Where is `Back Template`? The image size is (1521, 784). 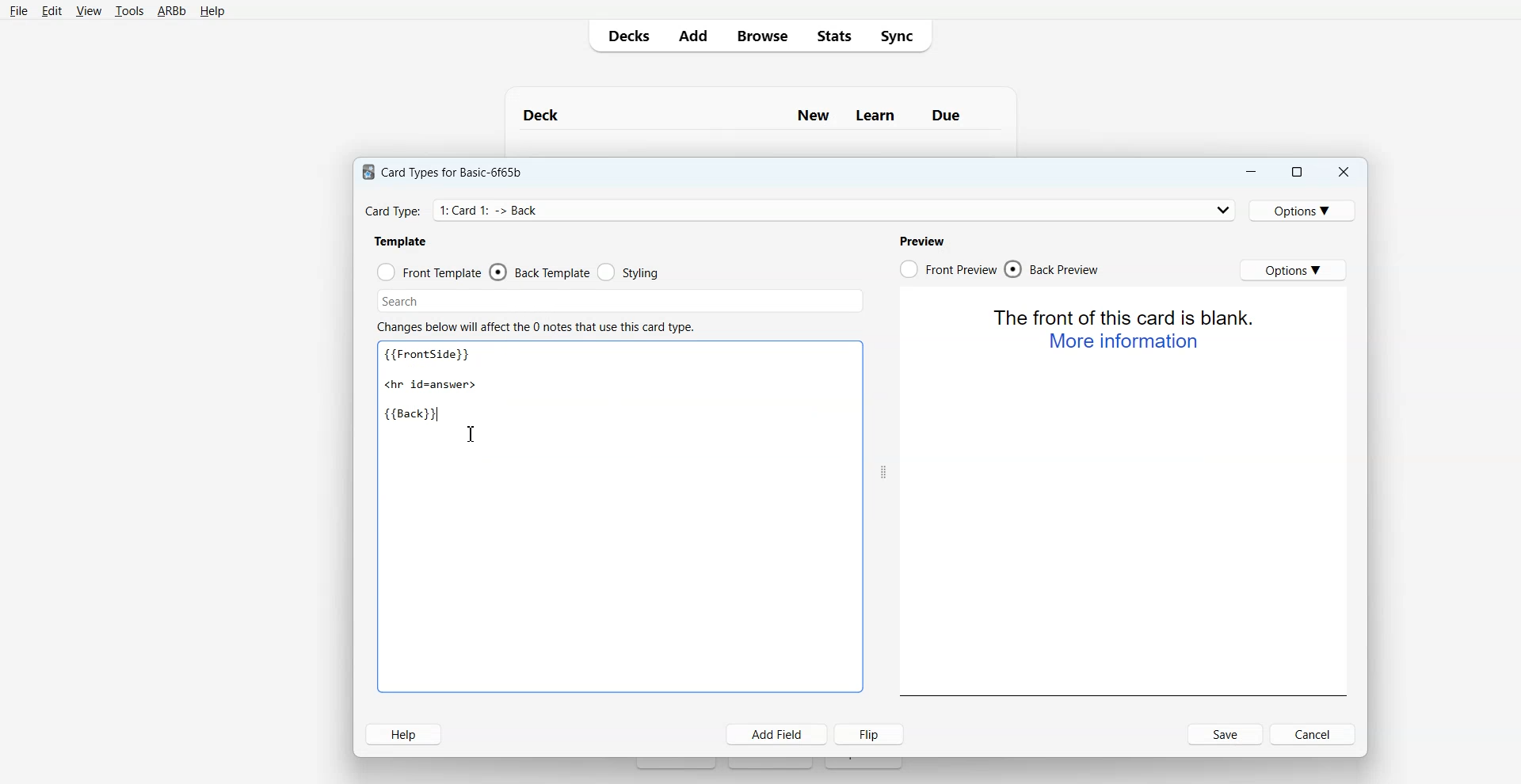
Back Template is located at coordinates (539, 272).